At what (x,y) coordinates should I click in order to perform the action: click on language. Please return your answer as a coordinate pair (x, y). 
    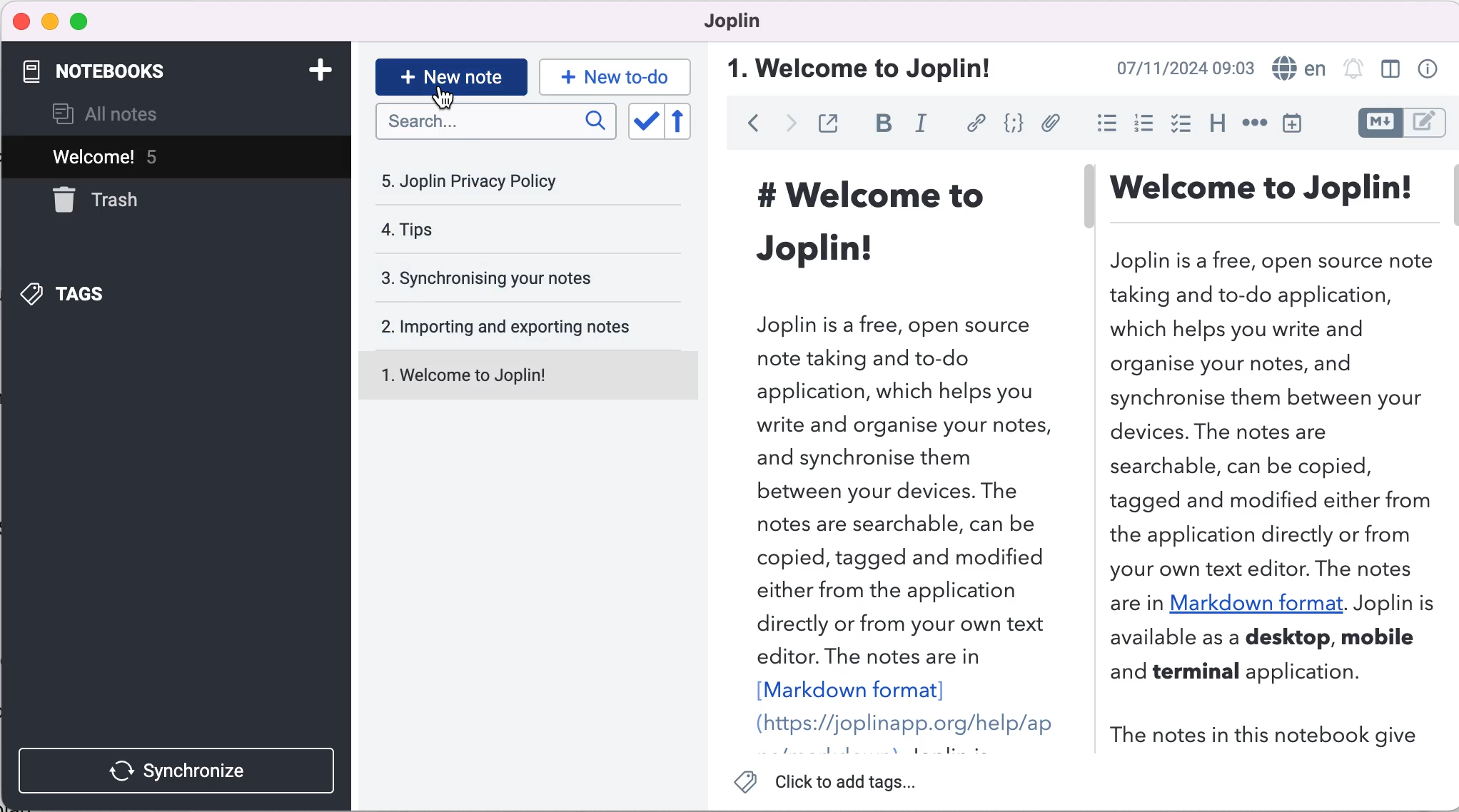
    Looking at the image, I should click on (1298, 70).